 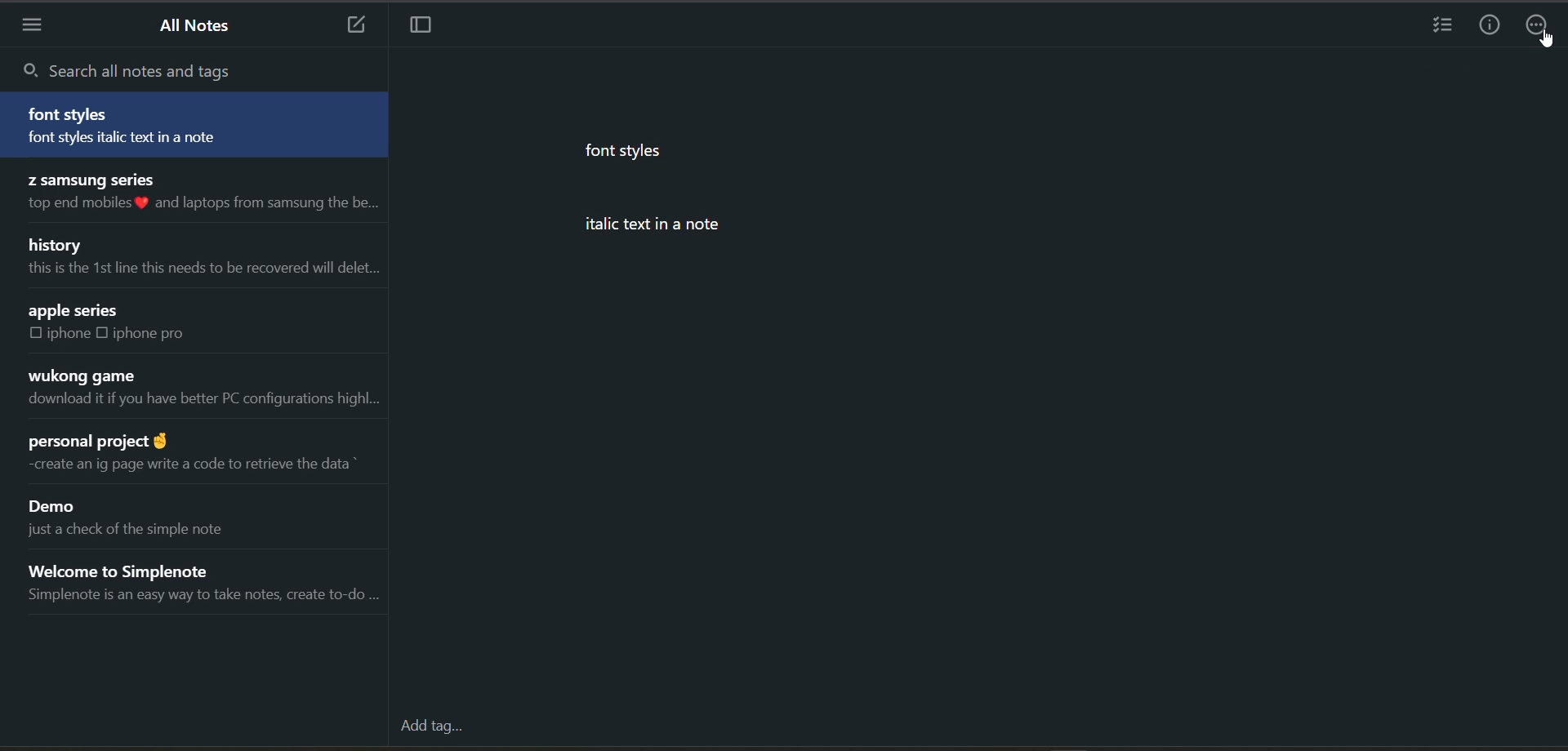 What do you see at coordinates (431, 28) in the screenshot?
I see `toggle focus mode` at bounding box center [431, 28].